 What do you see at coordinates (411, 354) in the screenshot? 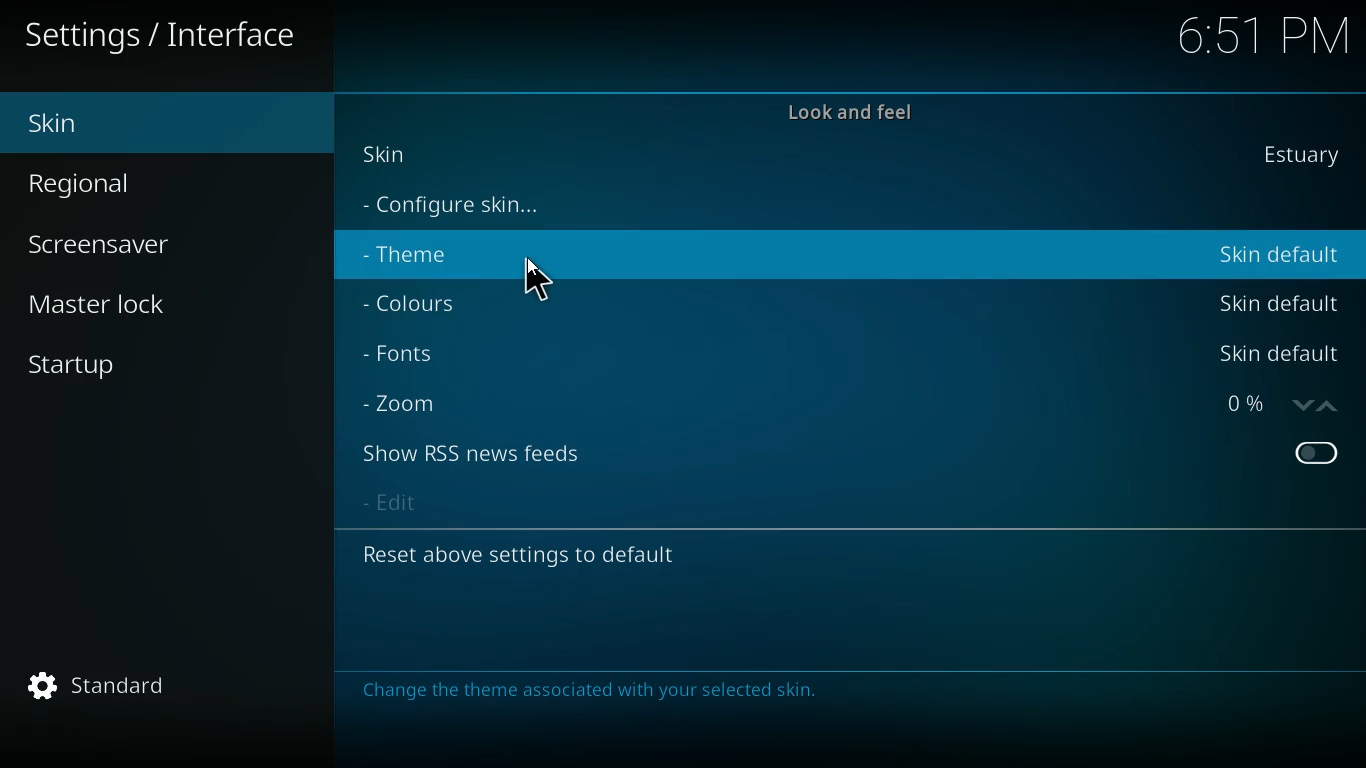
I see `fonts` at bounding box center [411, 354].